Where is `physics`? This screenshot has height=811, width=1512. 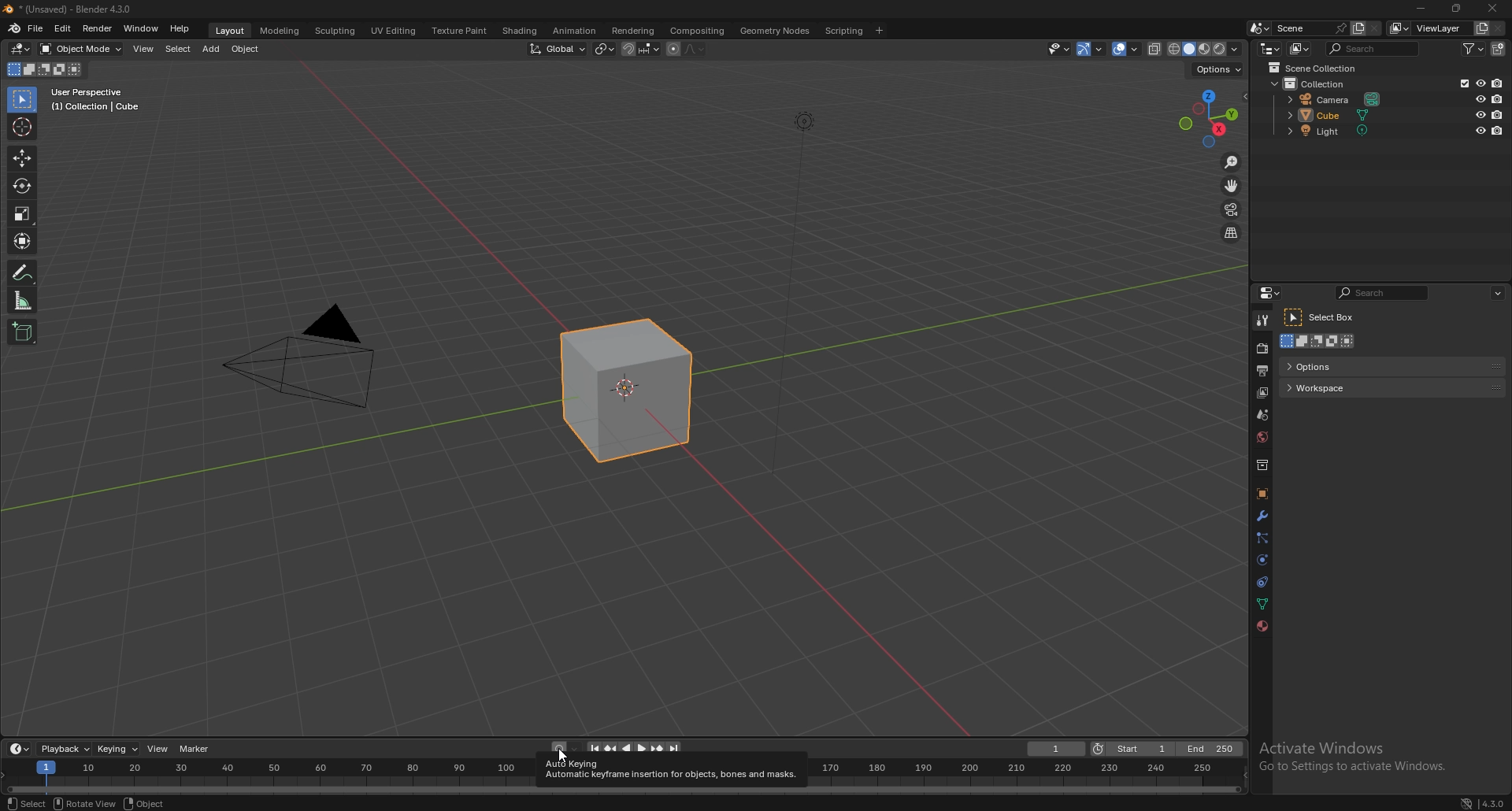 physics is located at coordinates (1262, 560).